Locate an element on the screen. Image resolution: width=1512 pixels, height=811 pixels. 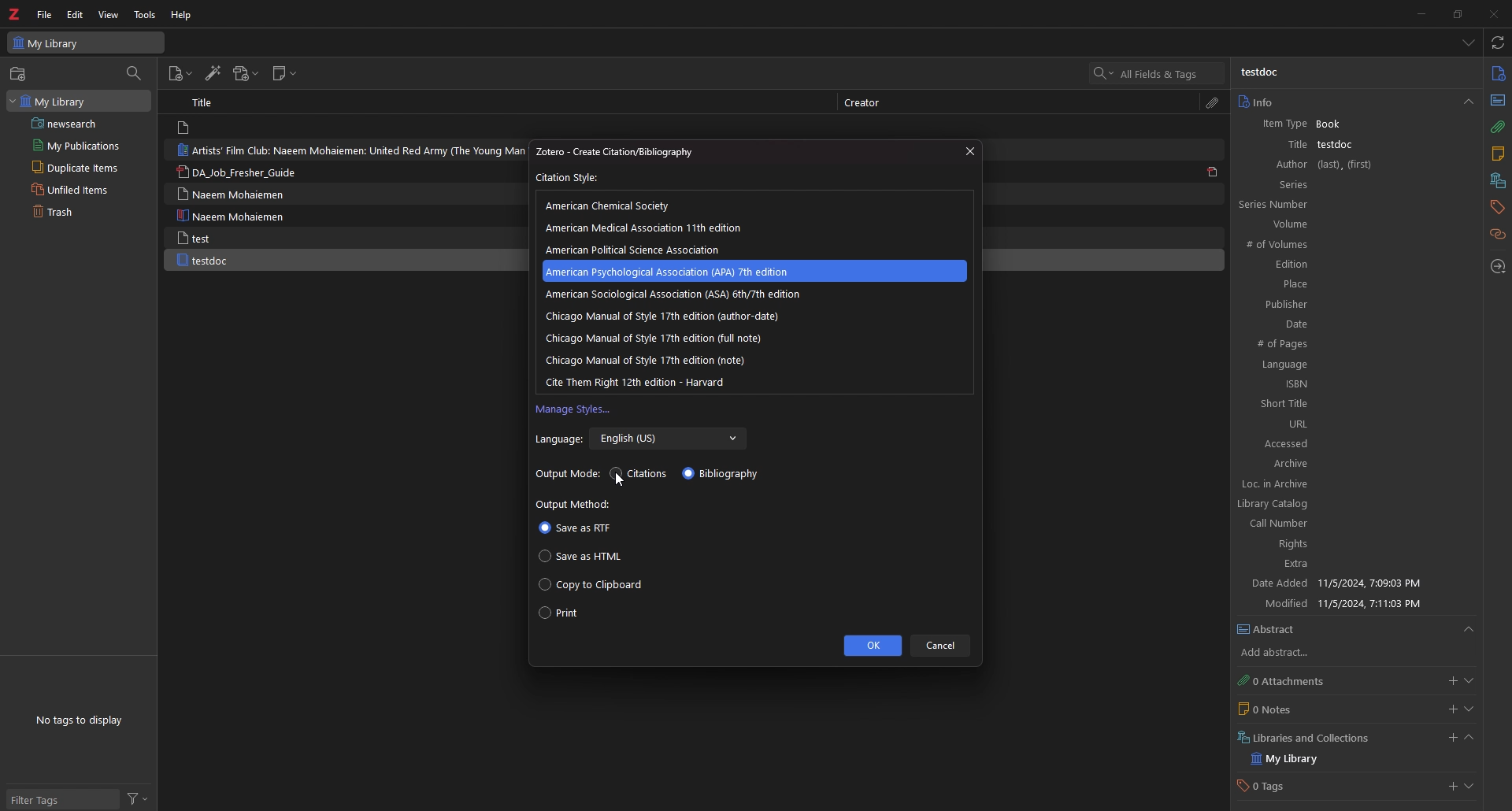
My Library is located at coordinates (86, 42).